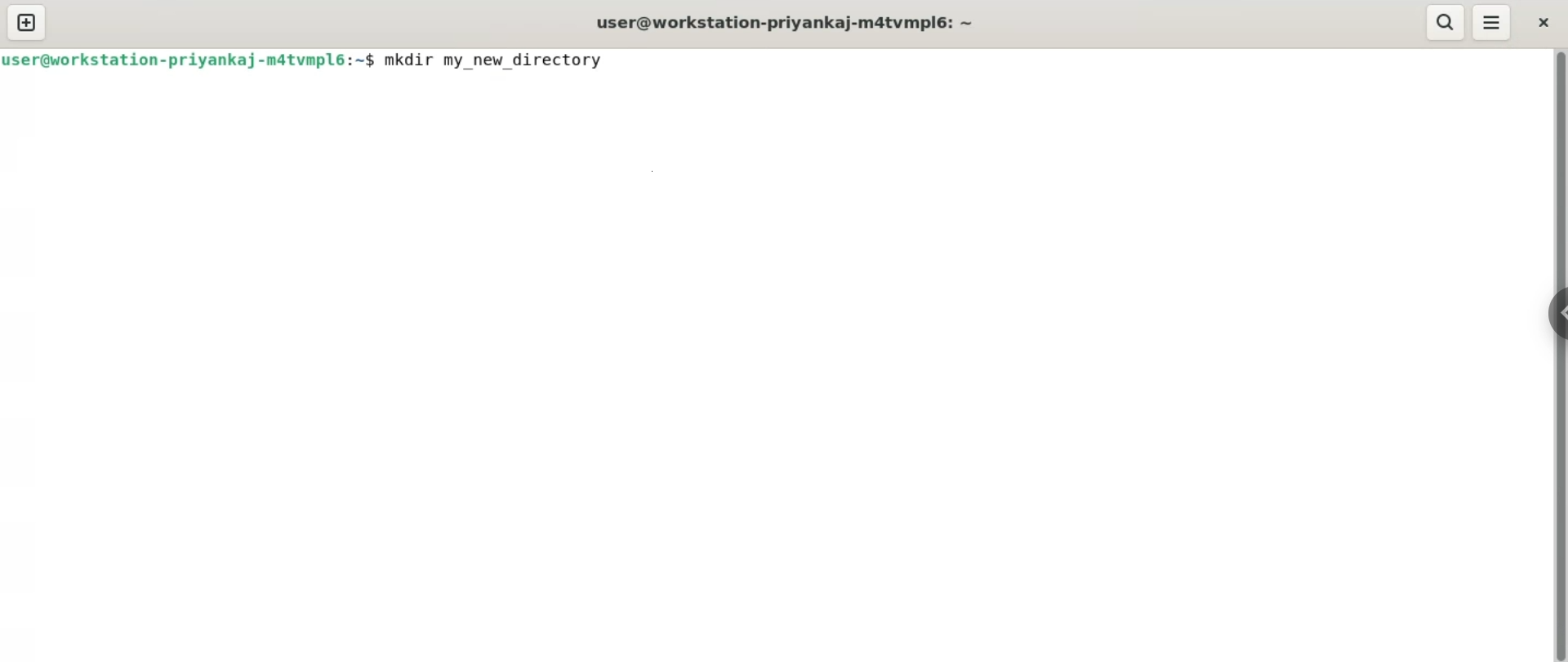 This screenshot has width=1568, height=662. I want to click on user@workstation-priyankaj-m4tvmpl6: ~ , so click(777, 23).